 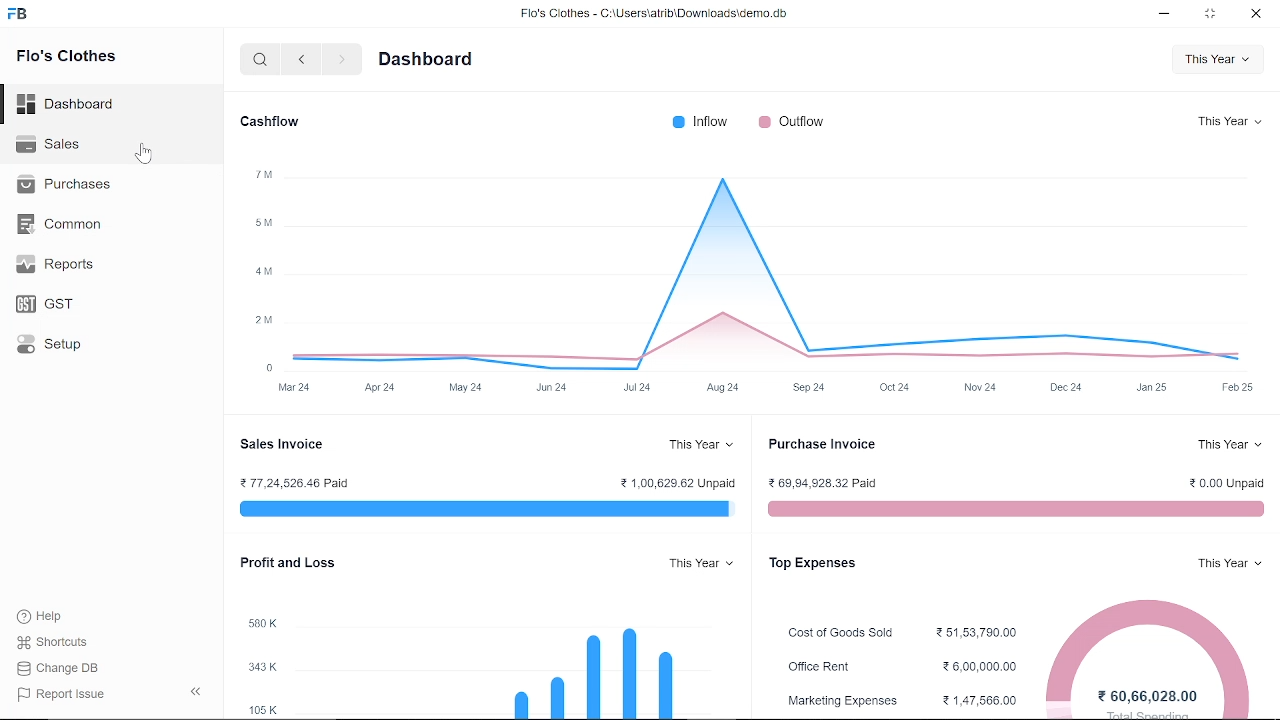 I want to click on Office Rent. 26,00,000.00, so click(x=898, y=665).